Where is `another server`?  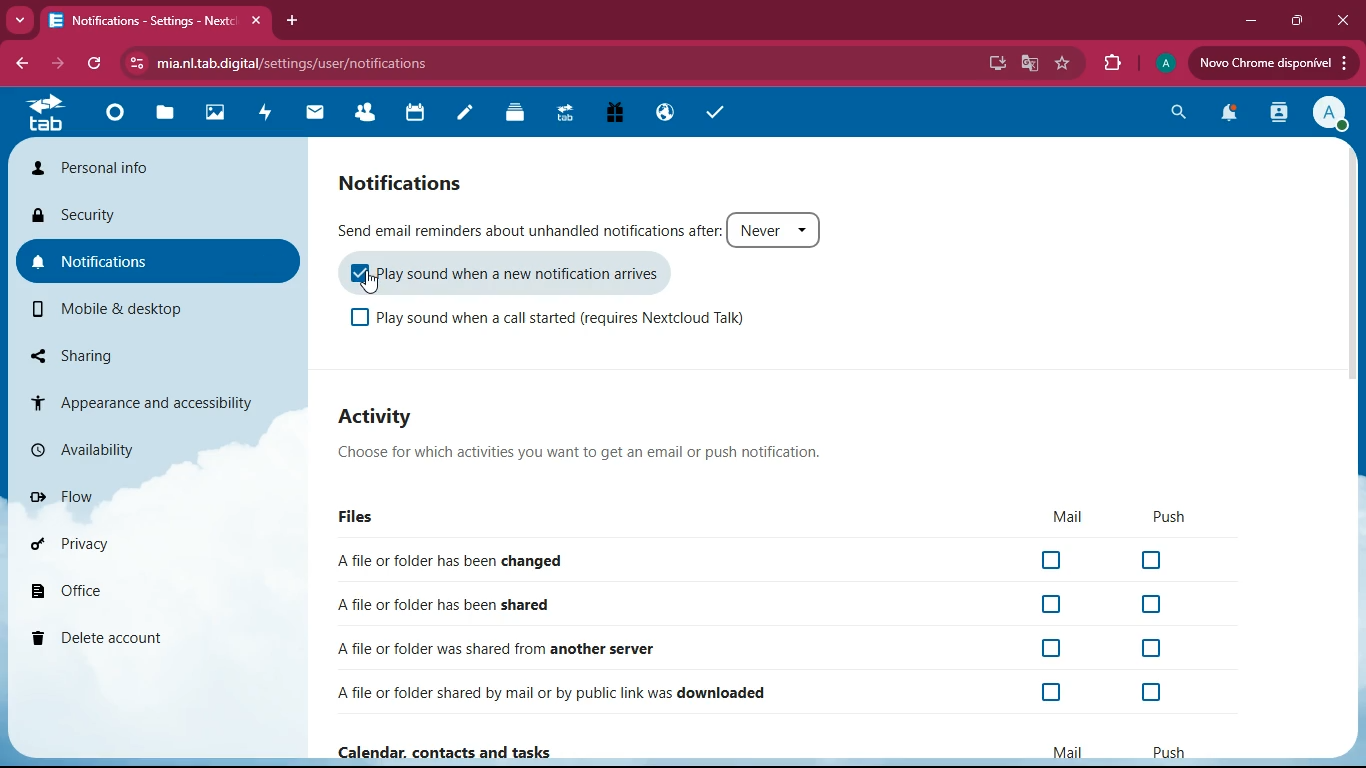 another server is located at coordinates (505, 648).